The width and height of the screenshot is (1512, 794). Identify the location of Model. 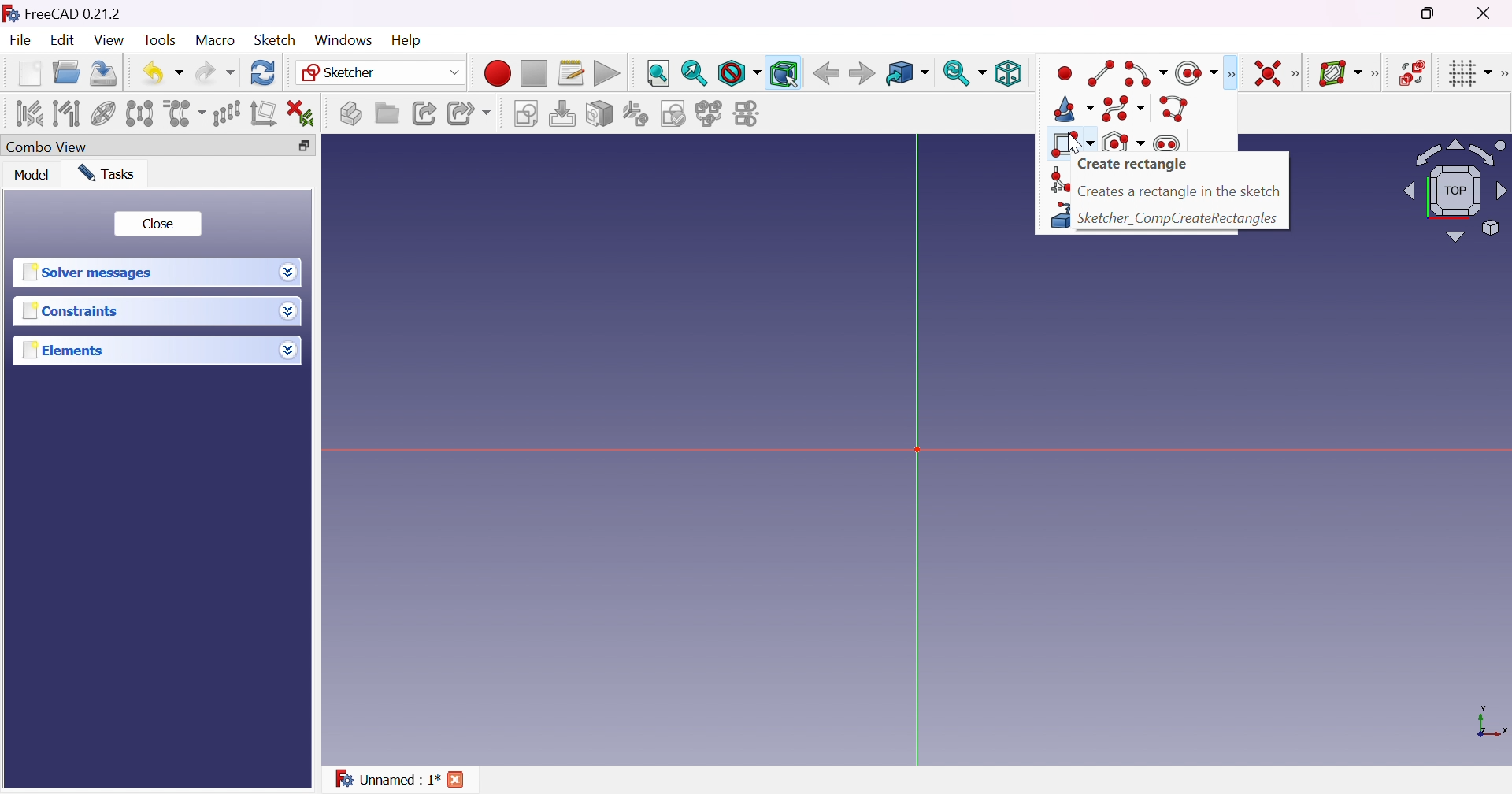
(31, 174).